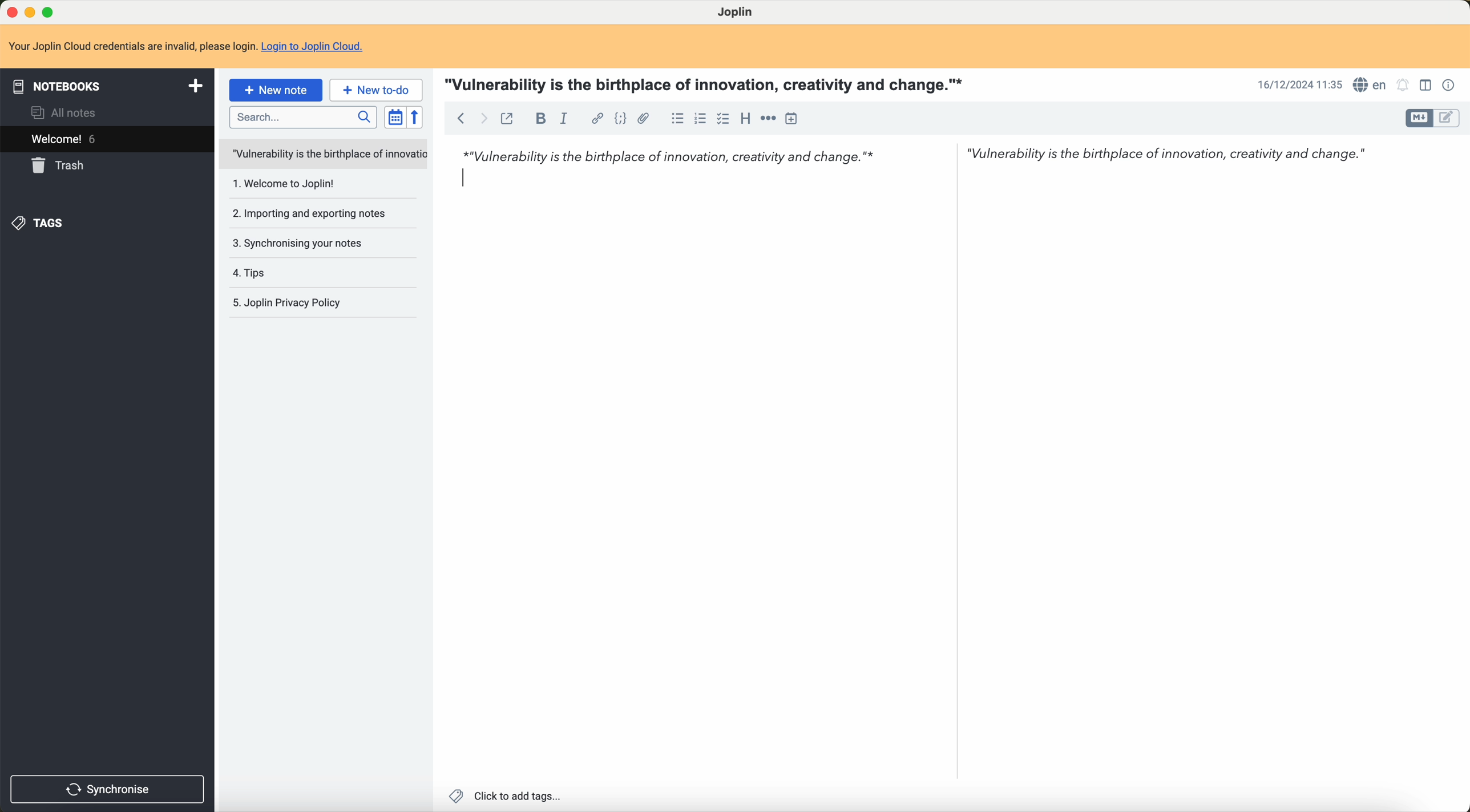 Image resolution: width=1470 pixels, height=812 pixels. What do you see at coordinates (618, 118) in the screenshot?
I see `code` at bounding box center [618, 118].